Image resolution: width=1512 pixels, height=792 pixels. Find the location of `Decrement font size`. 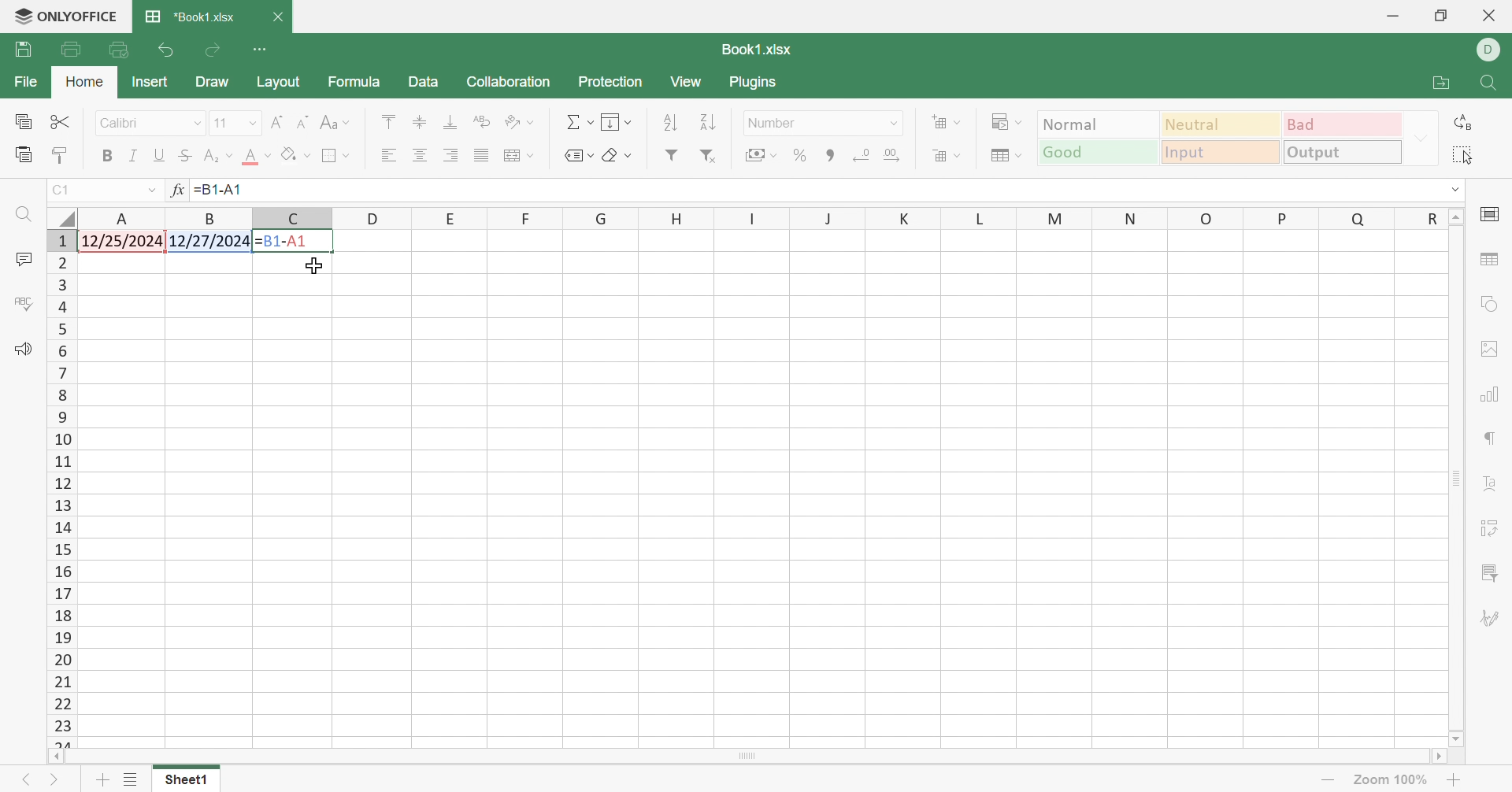

Decrement font size is located at coordinates (301, 124).